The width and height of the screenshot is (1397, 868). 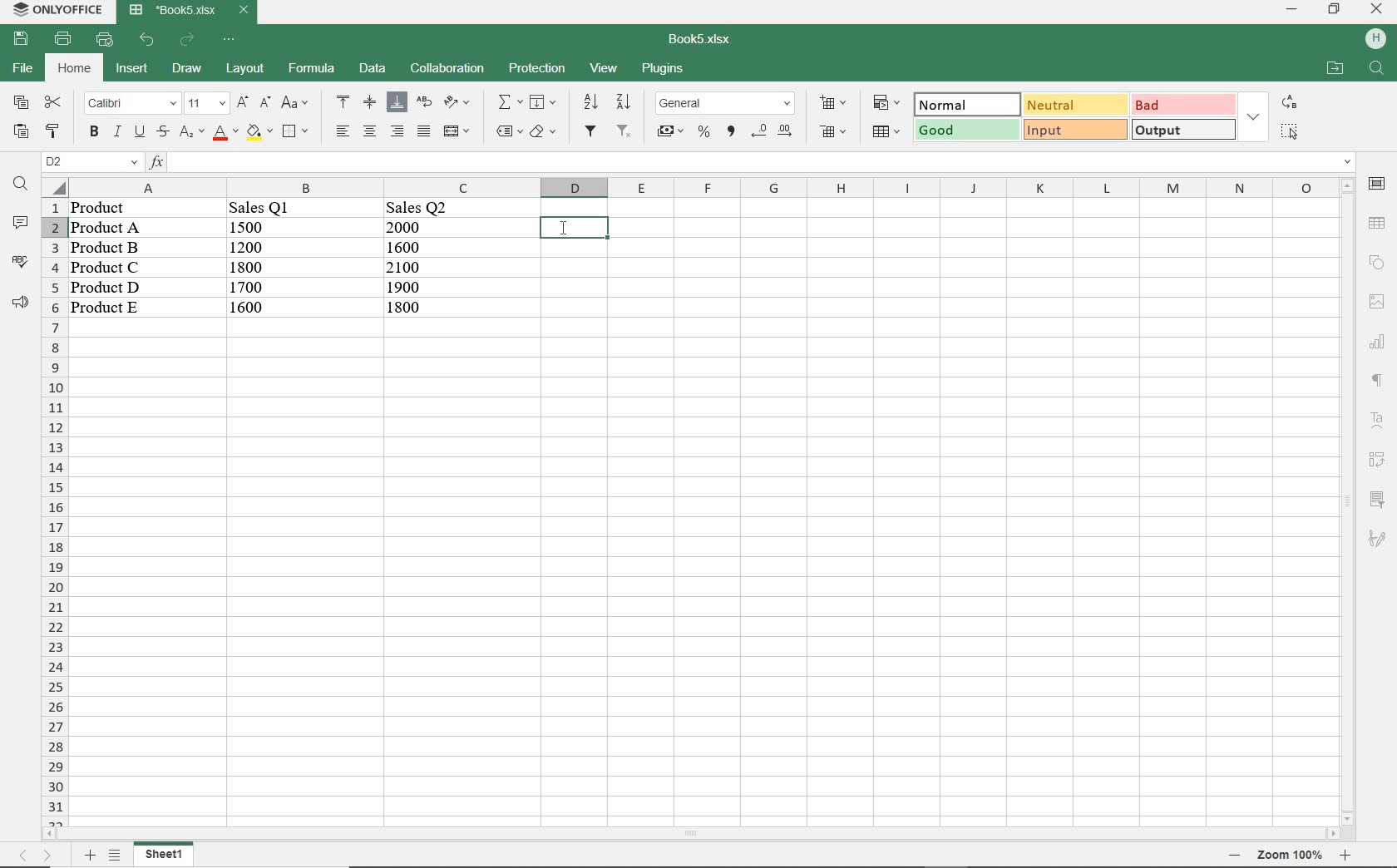 What do you see at coordinates (52, 188) in the screenshot?
I see `Select all` at bounding box center [52, 188].